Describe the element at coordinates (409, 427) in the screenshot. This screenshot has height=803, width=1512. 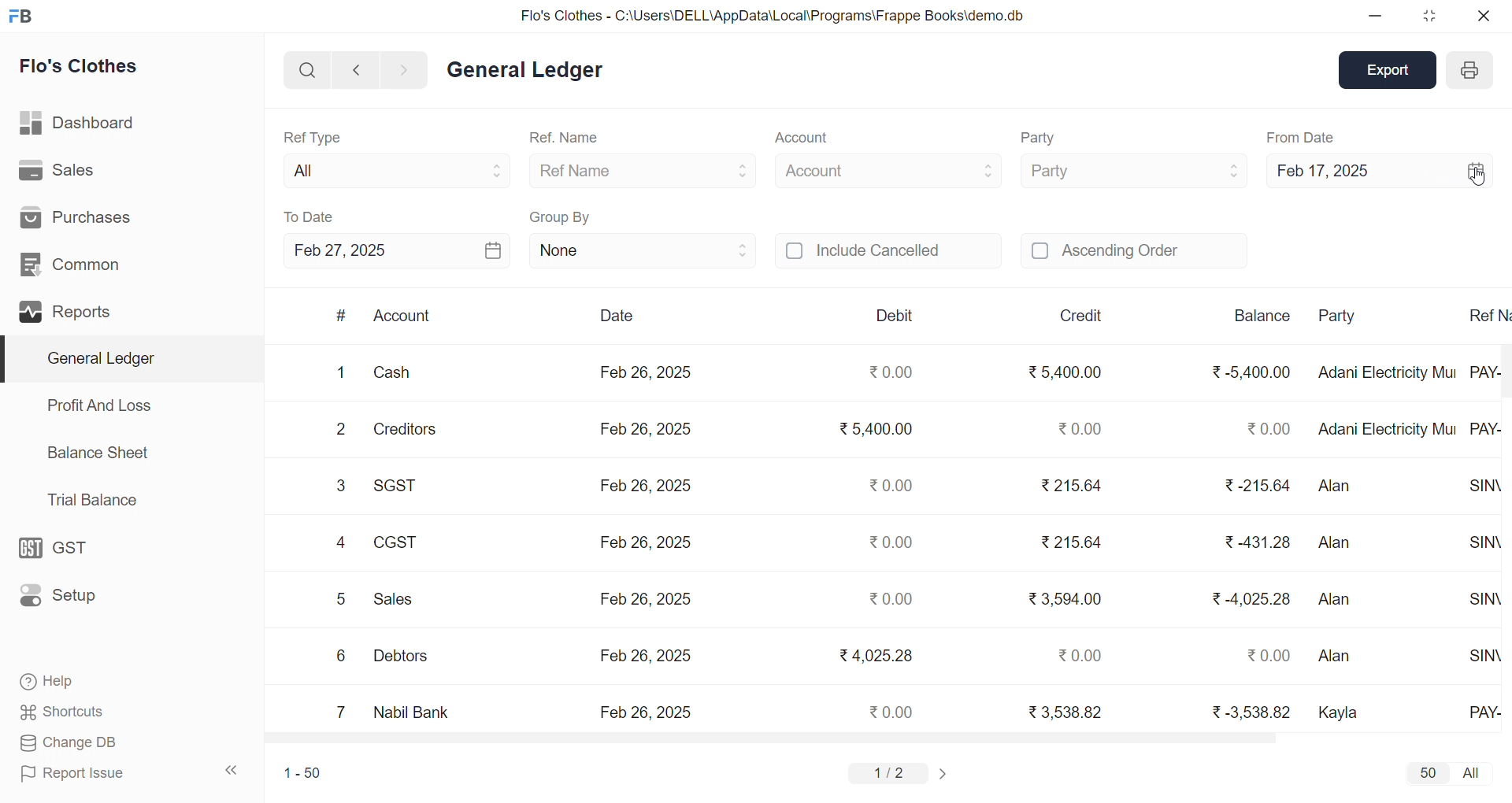
I see `Creditors` at that location.